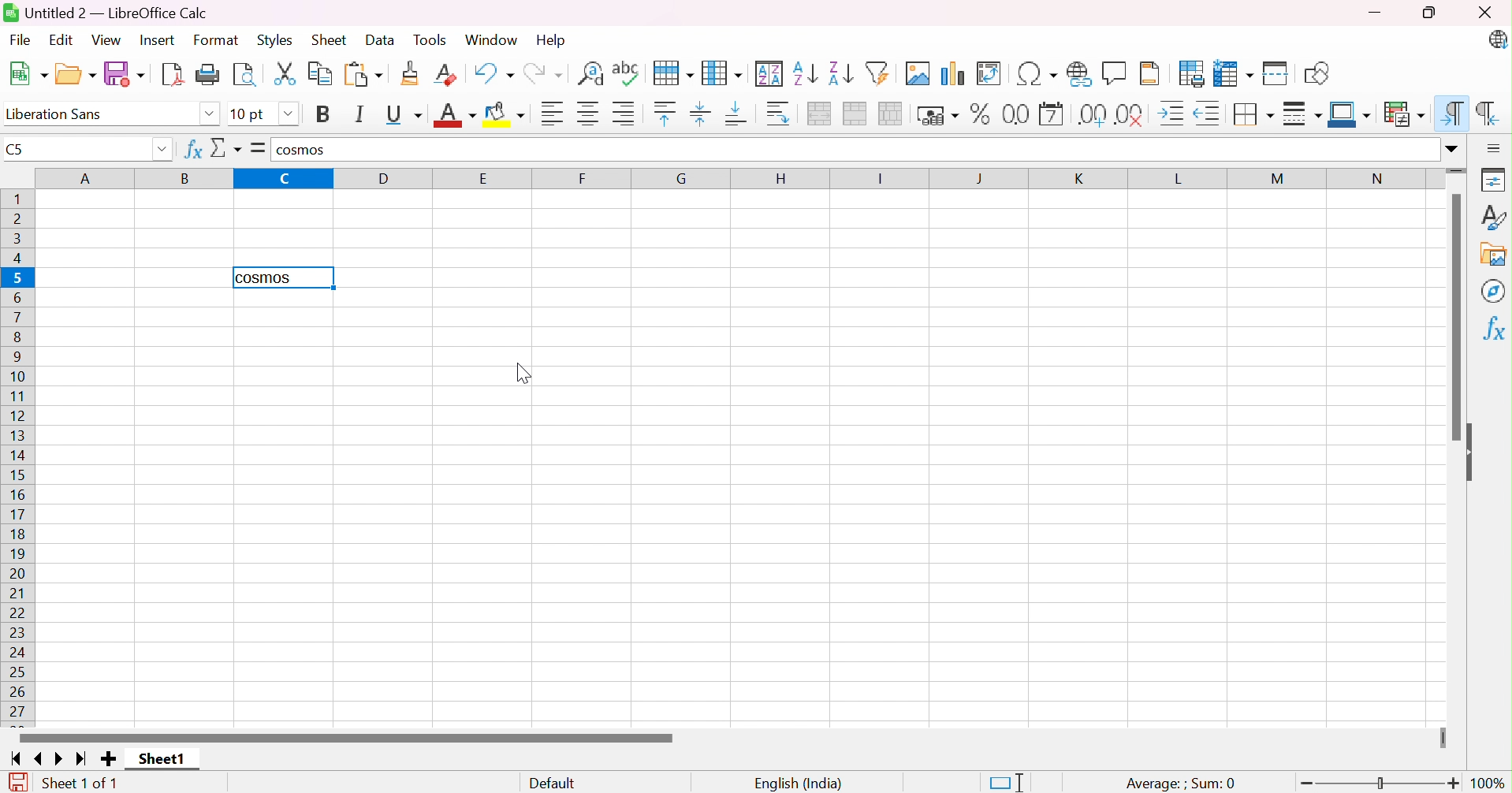  I want to click on Scroll Bar, so click(348, 738).